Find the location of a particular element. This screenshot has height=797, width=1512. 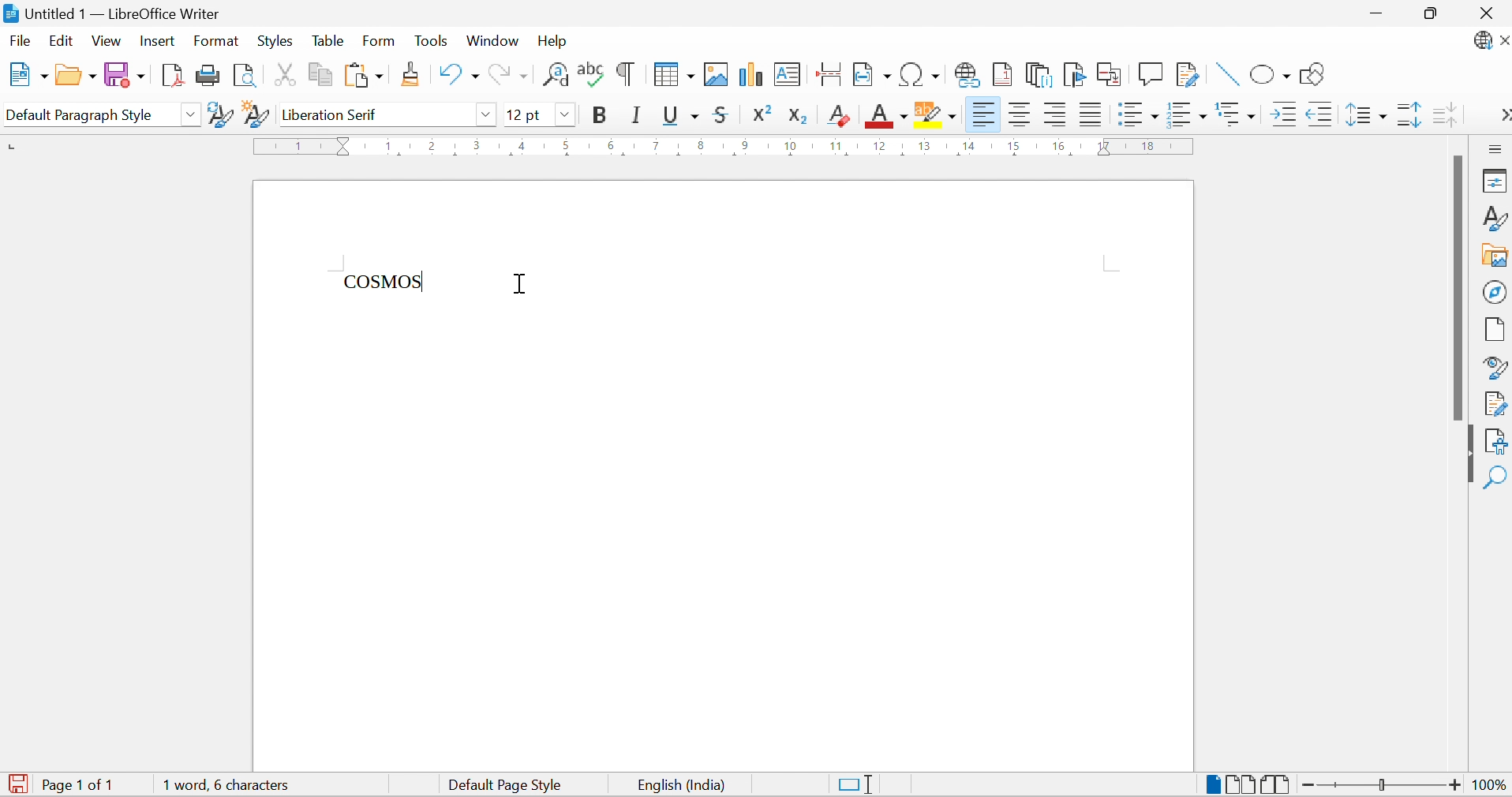

Undo is located at coordinates (456, 75).